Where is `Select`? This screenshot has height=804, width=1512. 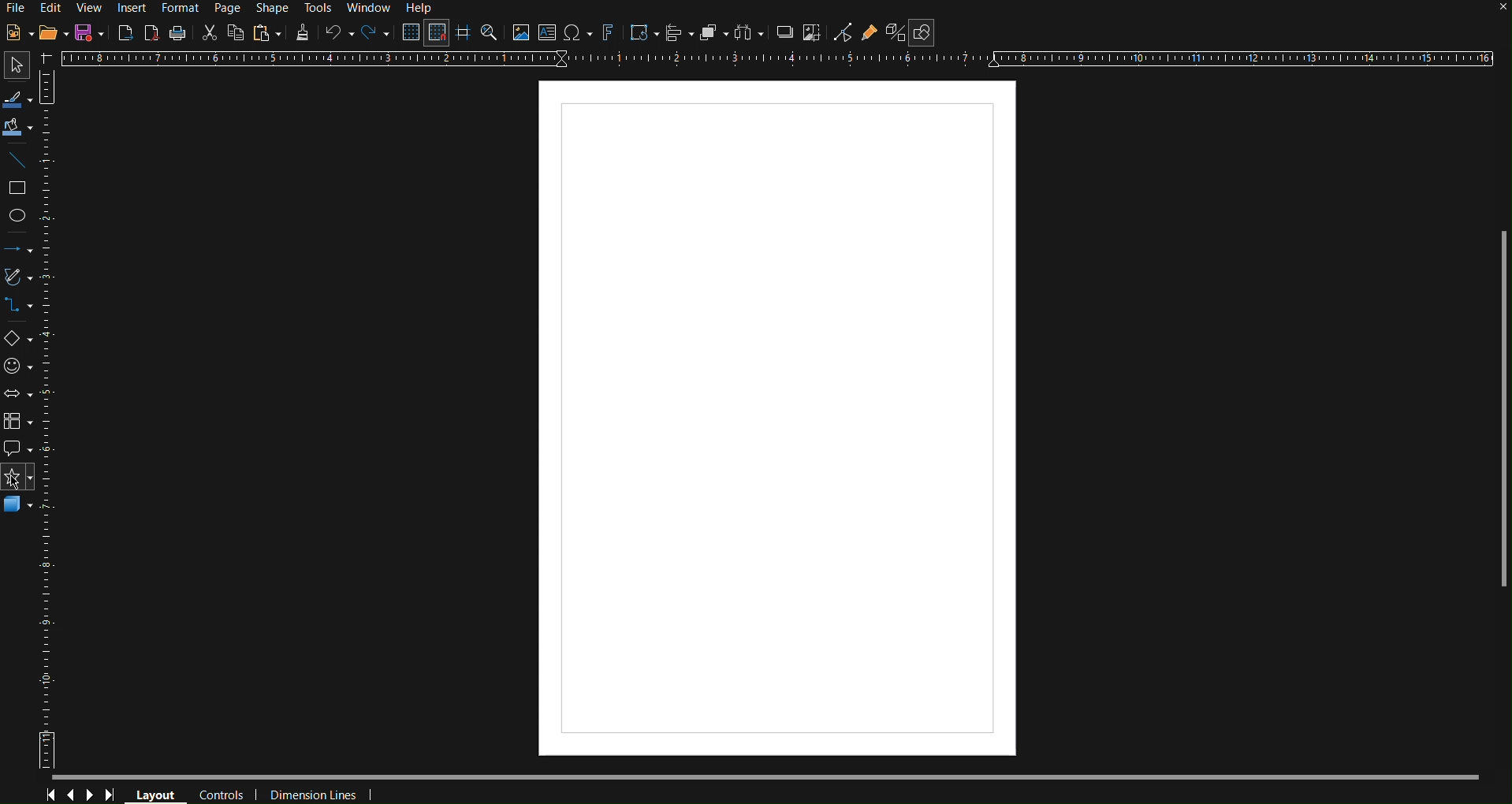
Select is located at coordinates (17, 100).